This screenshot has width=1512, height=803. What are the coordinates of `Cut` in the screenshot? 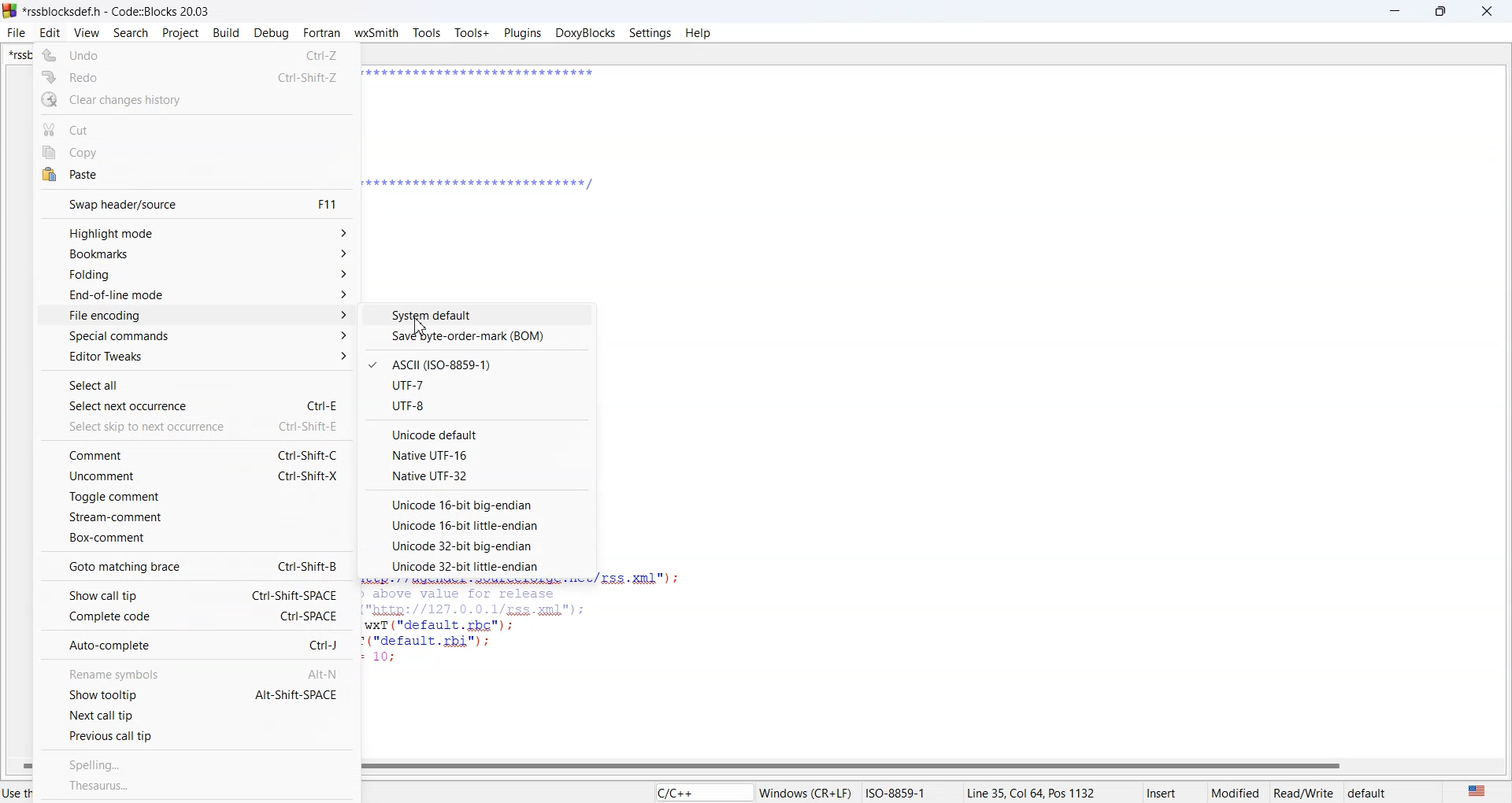 It's located at (197, 127).